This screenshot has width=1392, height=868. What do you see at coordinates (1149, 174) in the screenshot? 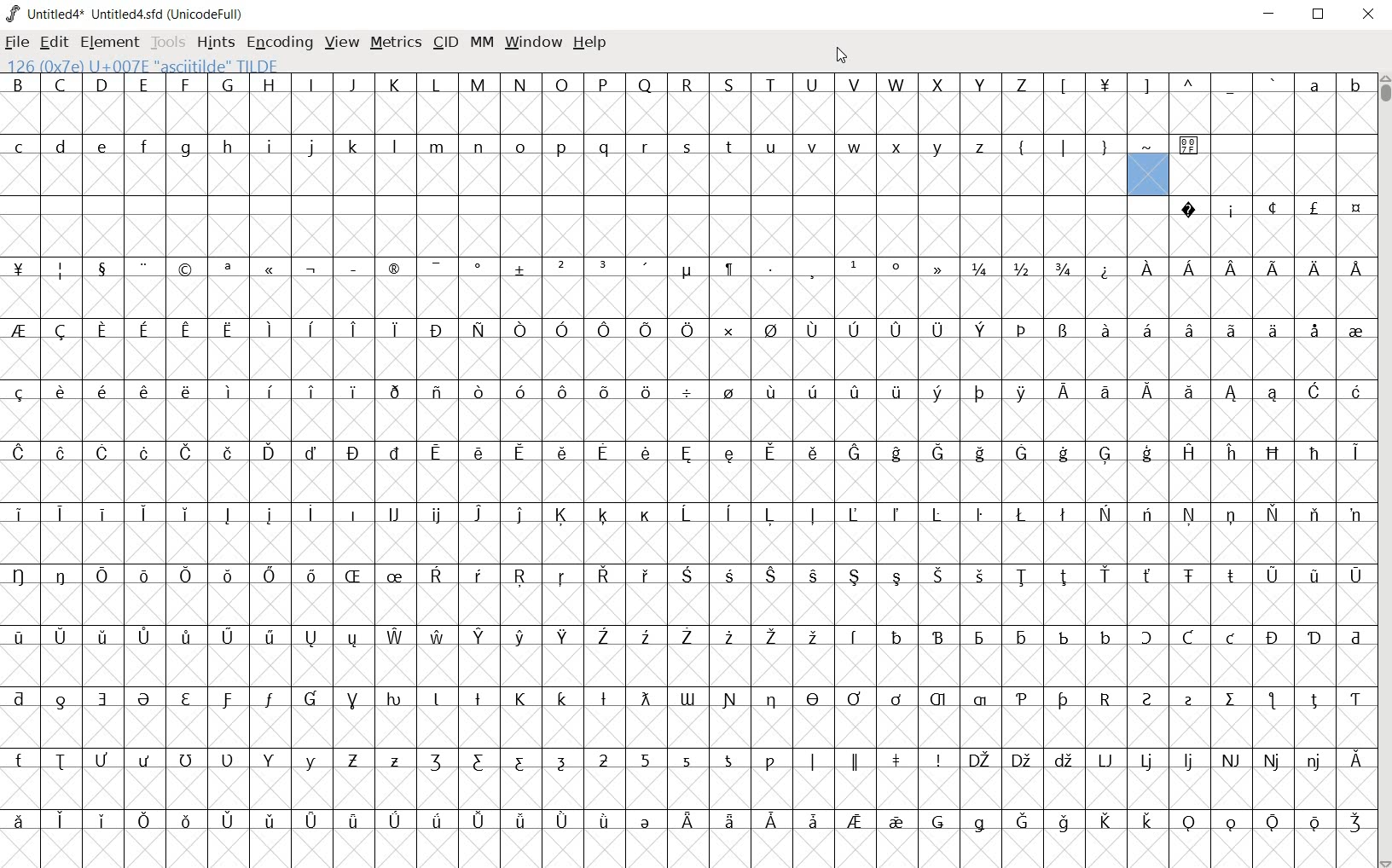
I see `126 (0X7e) U+007E "asciitilde" TILDE` at bounding box center [1149, 174].